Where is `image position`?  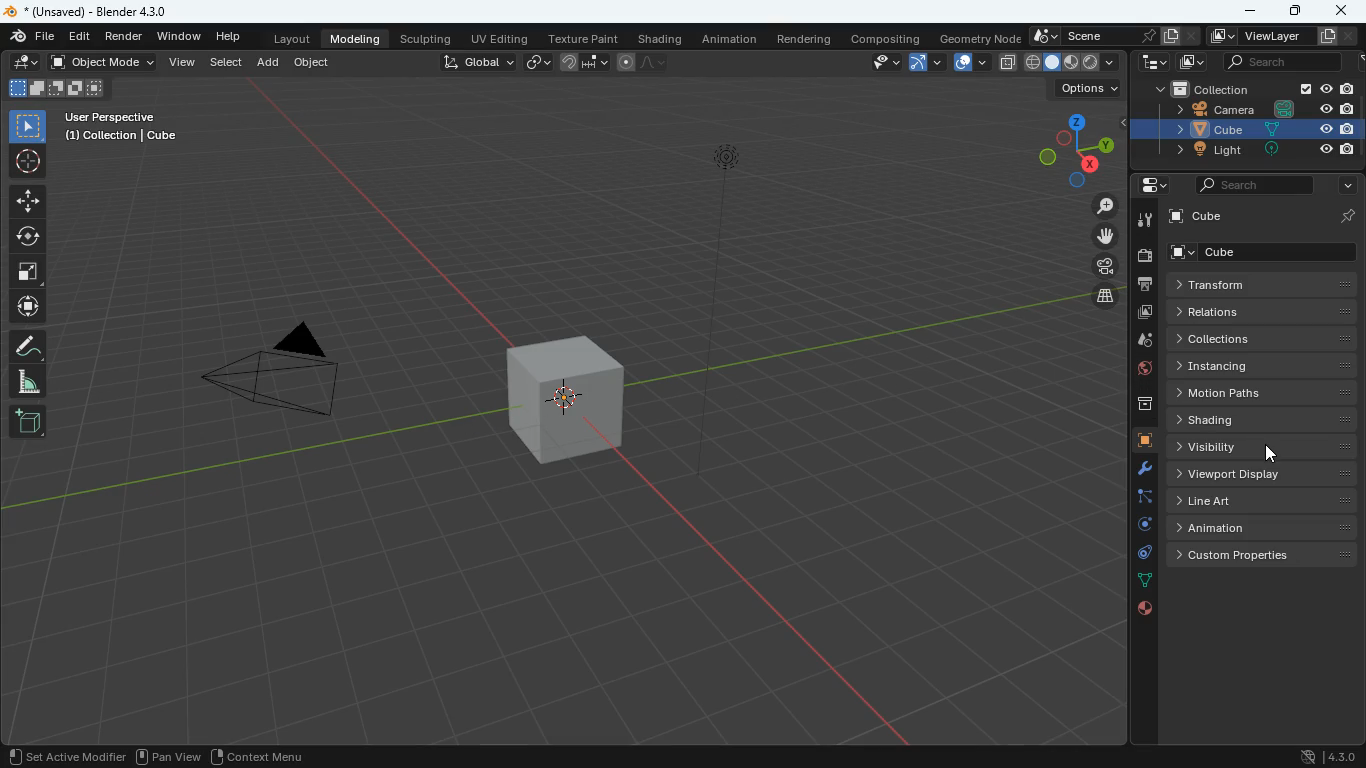 image position is located at coordinates (55, 90).